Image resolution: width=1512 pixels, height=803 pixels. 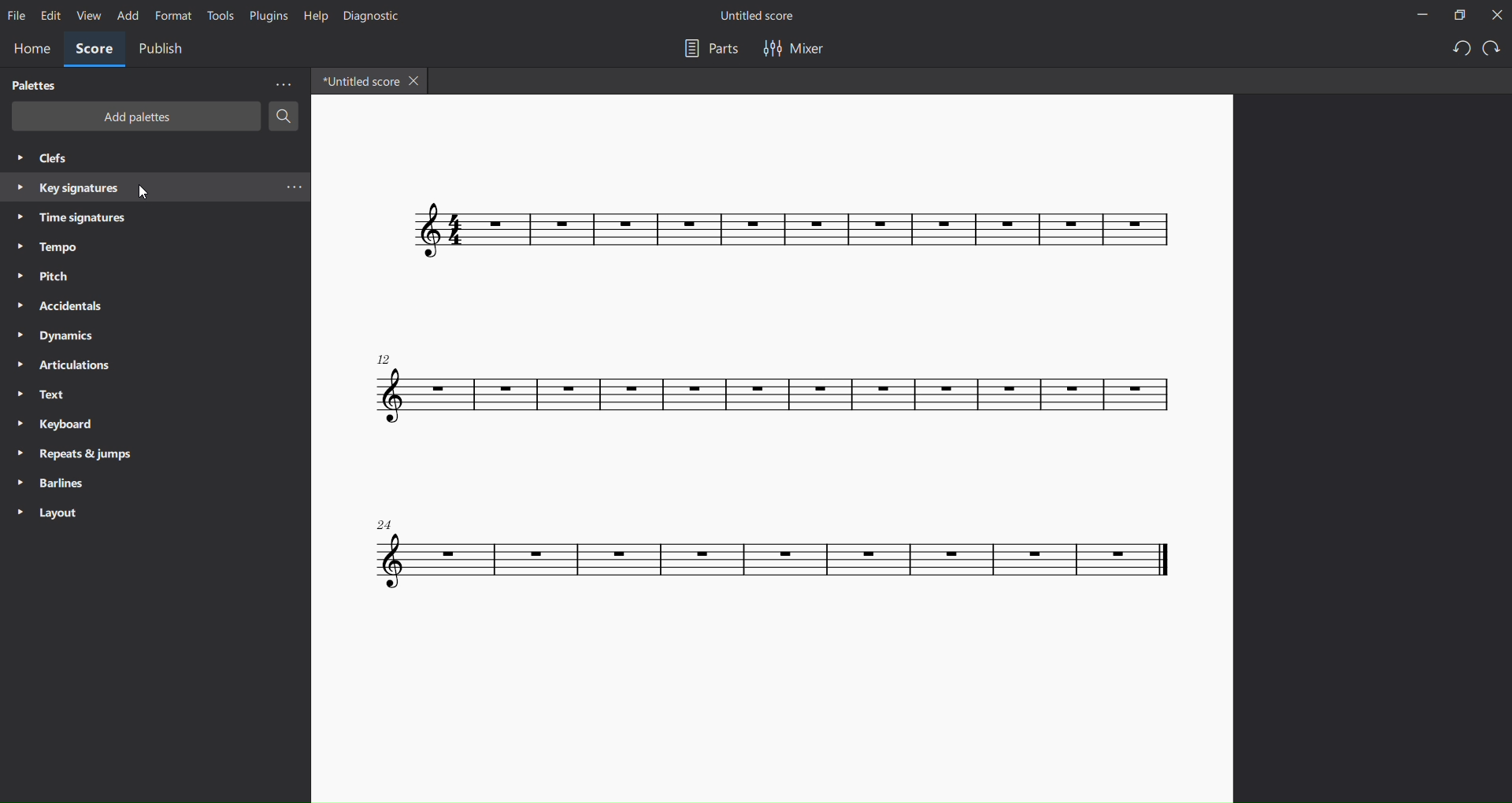 What do you see at coordinates (773, 442) in the screenshot?
I see `concert` at bounding box center [773, 442].